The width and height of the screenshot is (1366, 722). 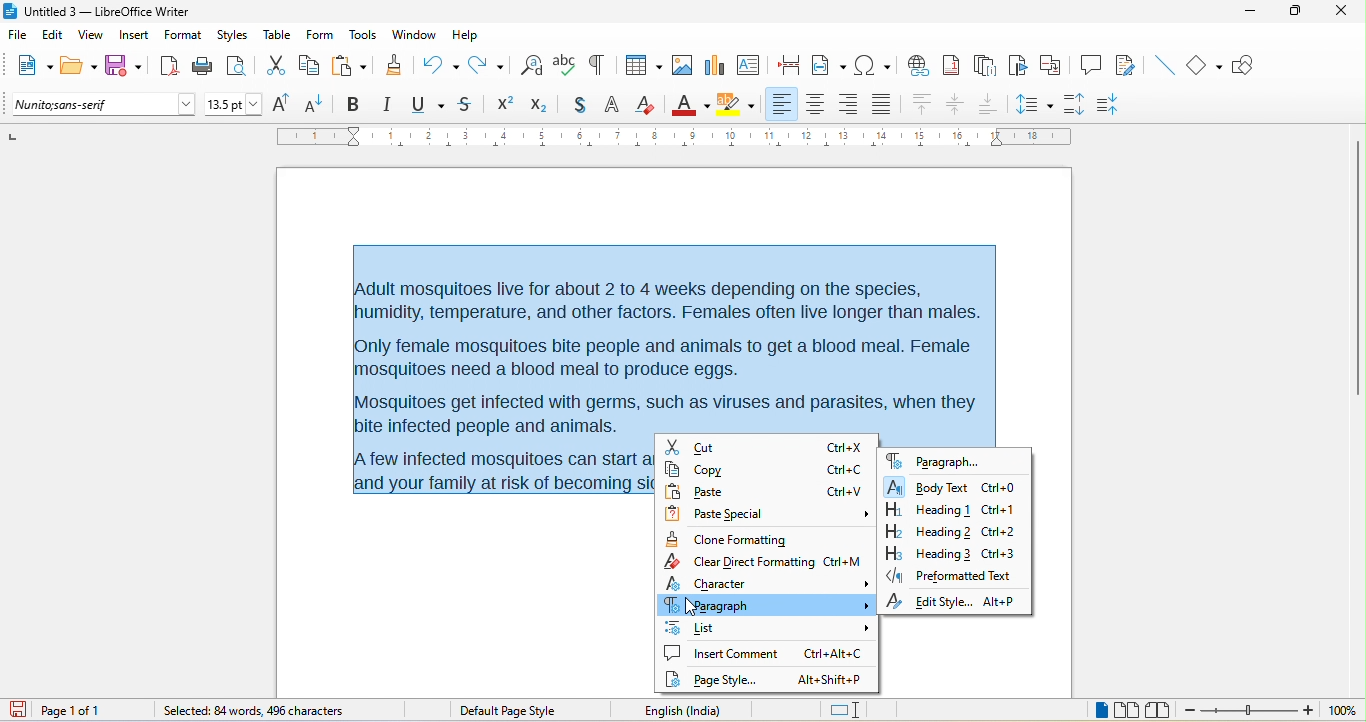 I want to click on body text, so click(x=928, y=486).